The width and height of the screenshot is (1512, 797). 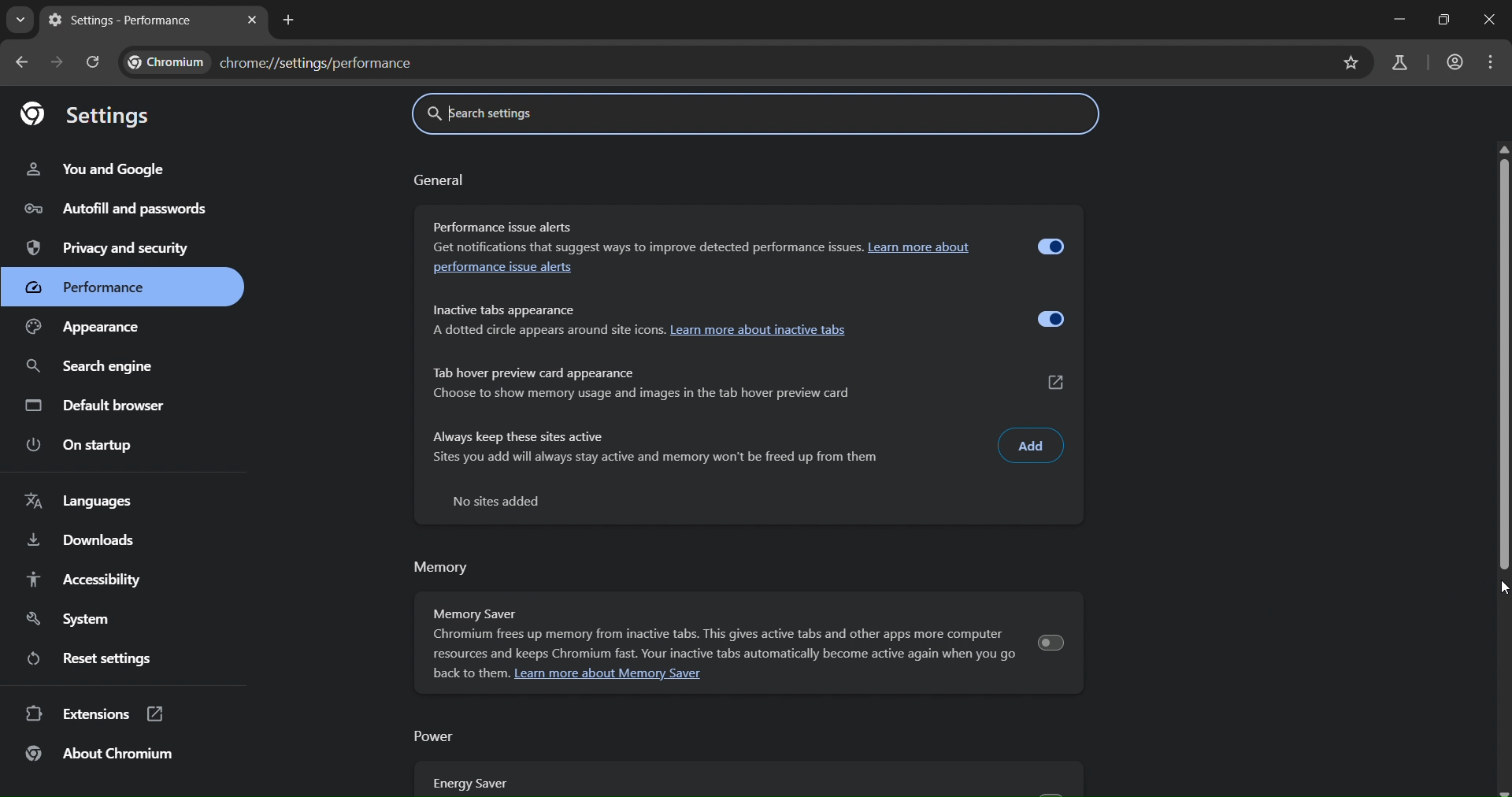 What do you see at coordinates (495, 783) in the screenshot?
I see `energy saver` at bounding box center [495, 783].